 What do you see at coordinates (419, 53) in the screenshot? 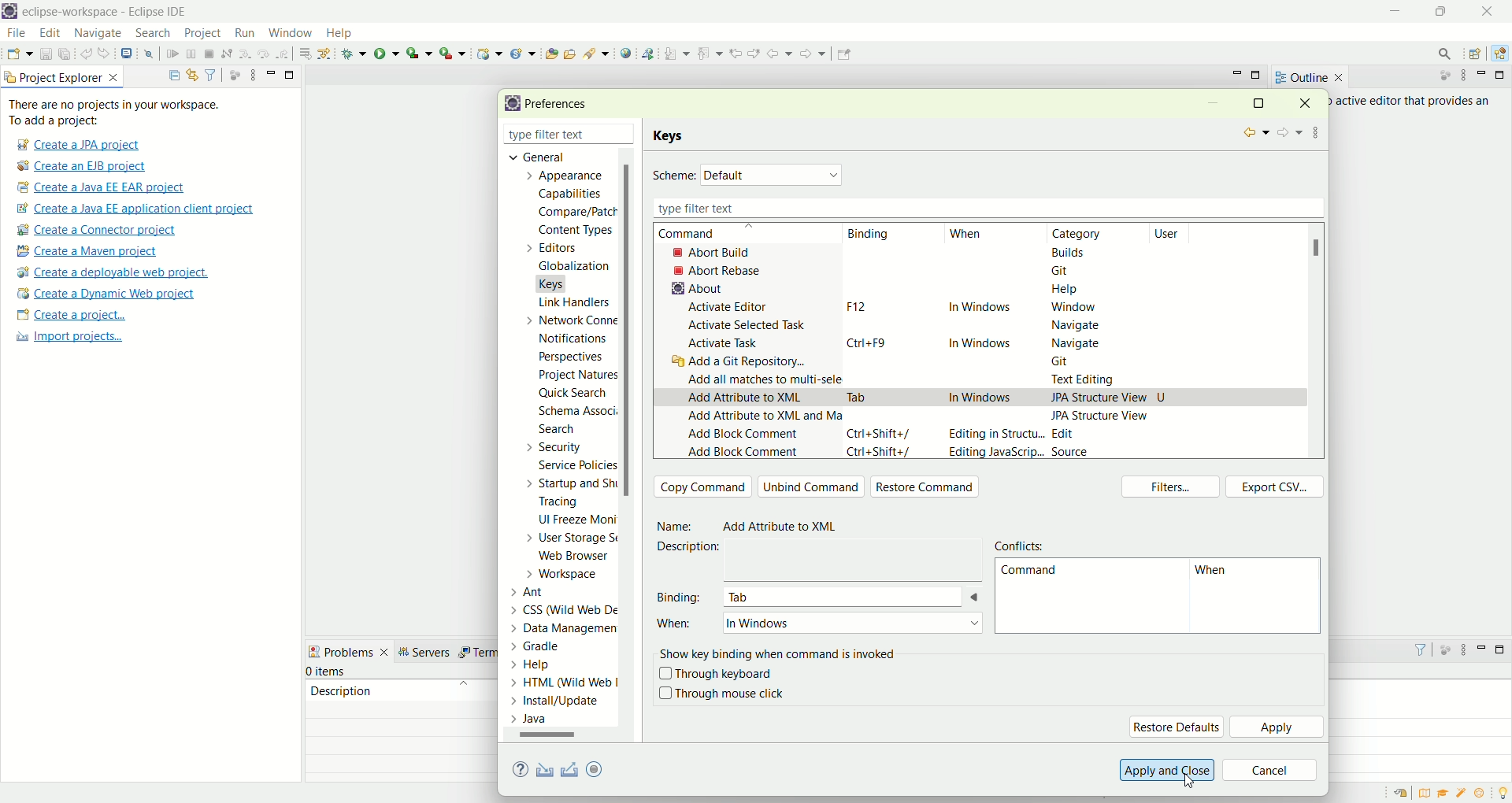
I see `coverage` at bounding box center [419, 53].